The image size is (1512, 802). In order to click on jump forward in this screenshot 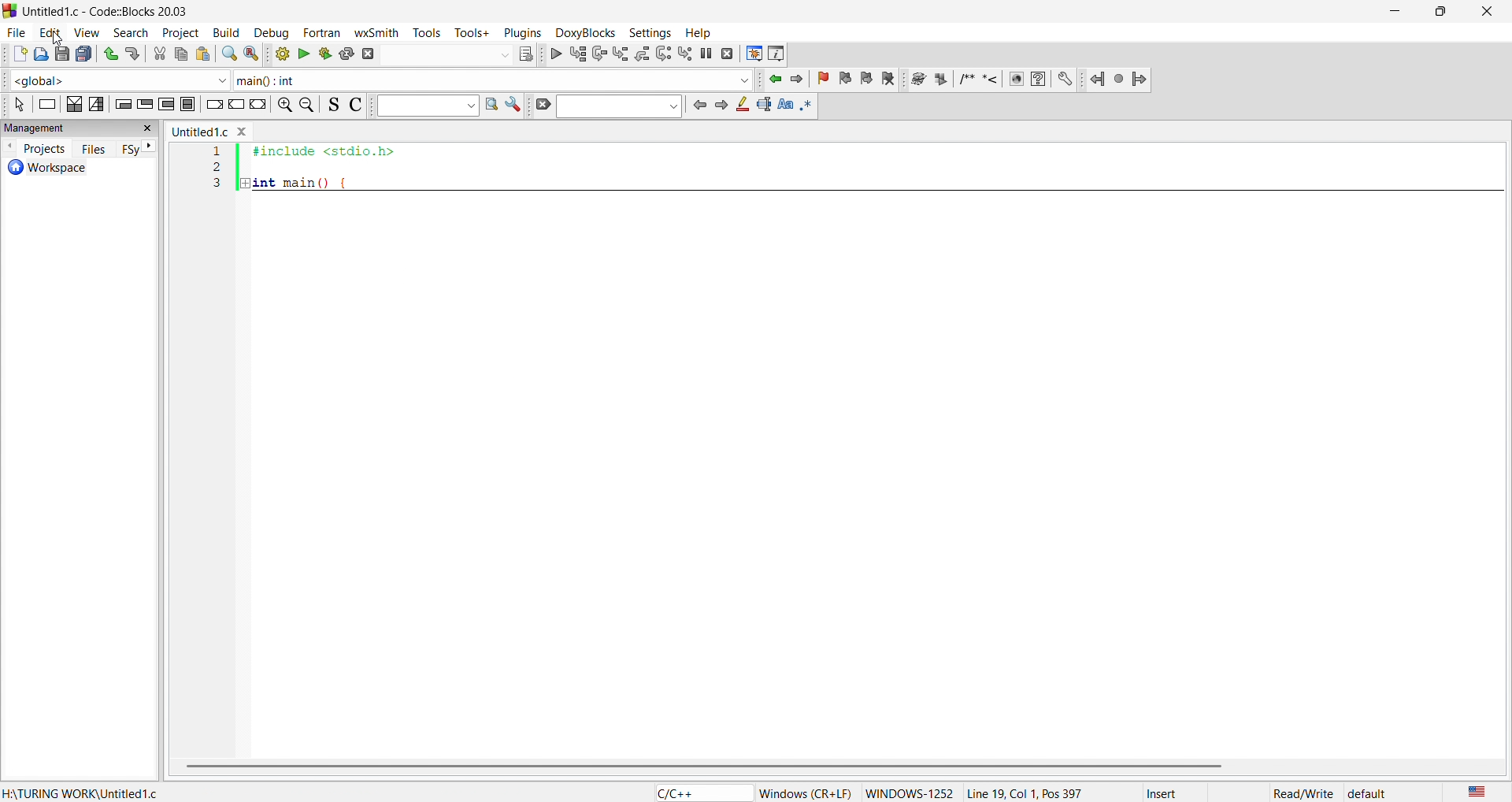, I will do `click(1142, 79)`.